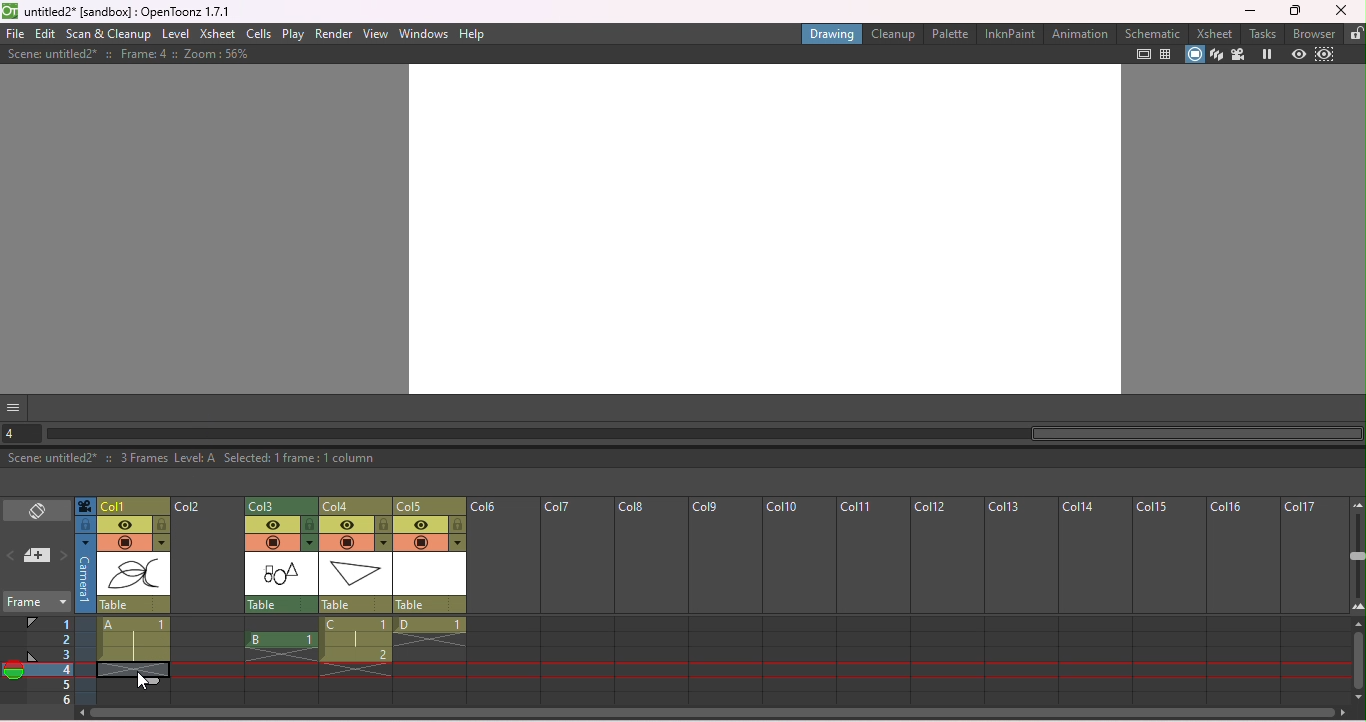 The height and width of the screenshot is (722, 1366). Describe the element at coordinates (207, 602) in the screenshot. I see `column 2` at that location.